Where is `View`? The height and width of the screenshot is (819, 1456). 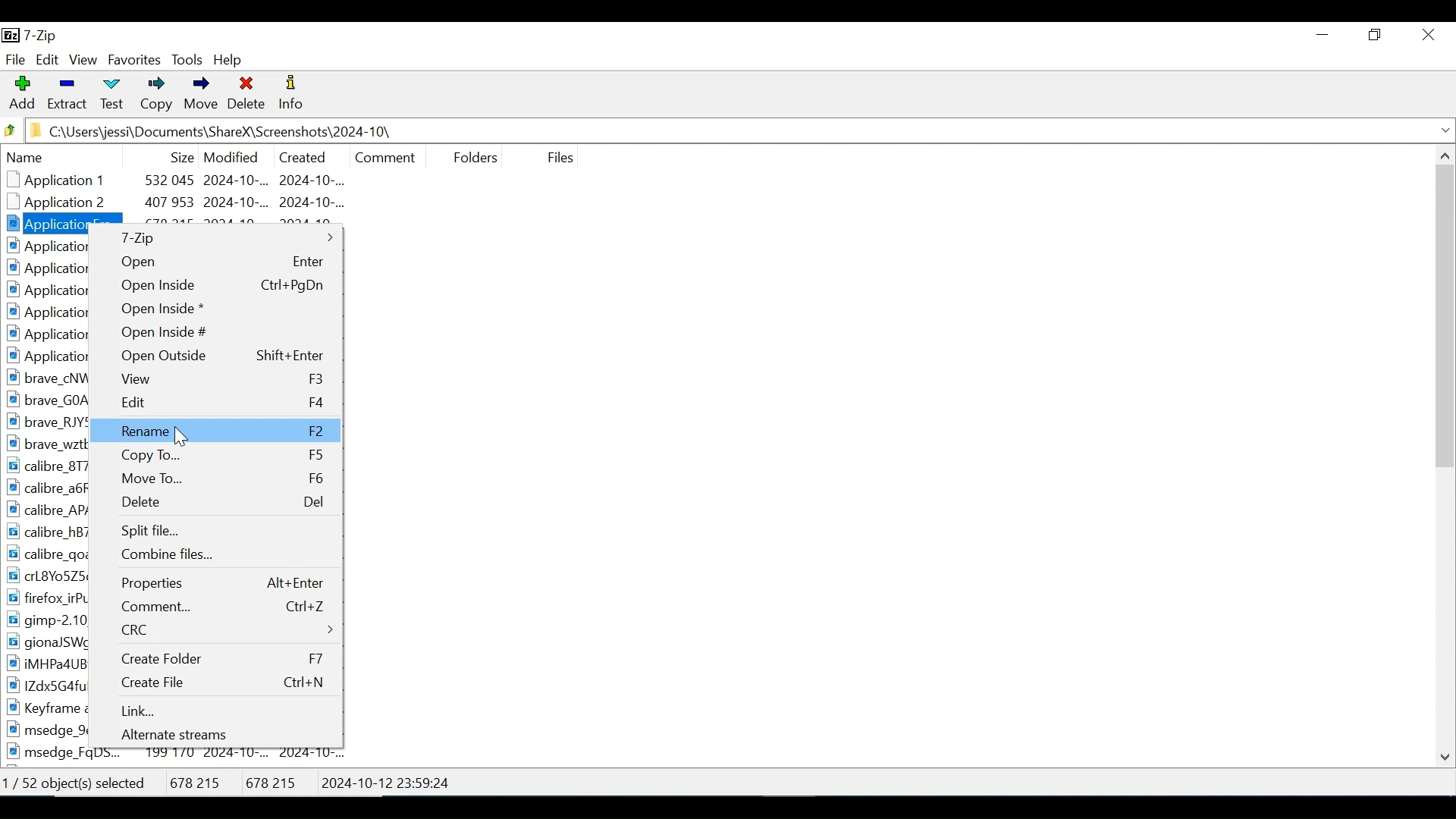 View is located at coordinates (84, 61).